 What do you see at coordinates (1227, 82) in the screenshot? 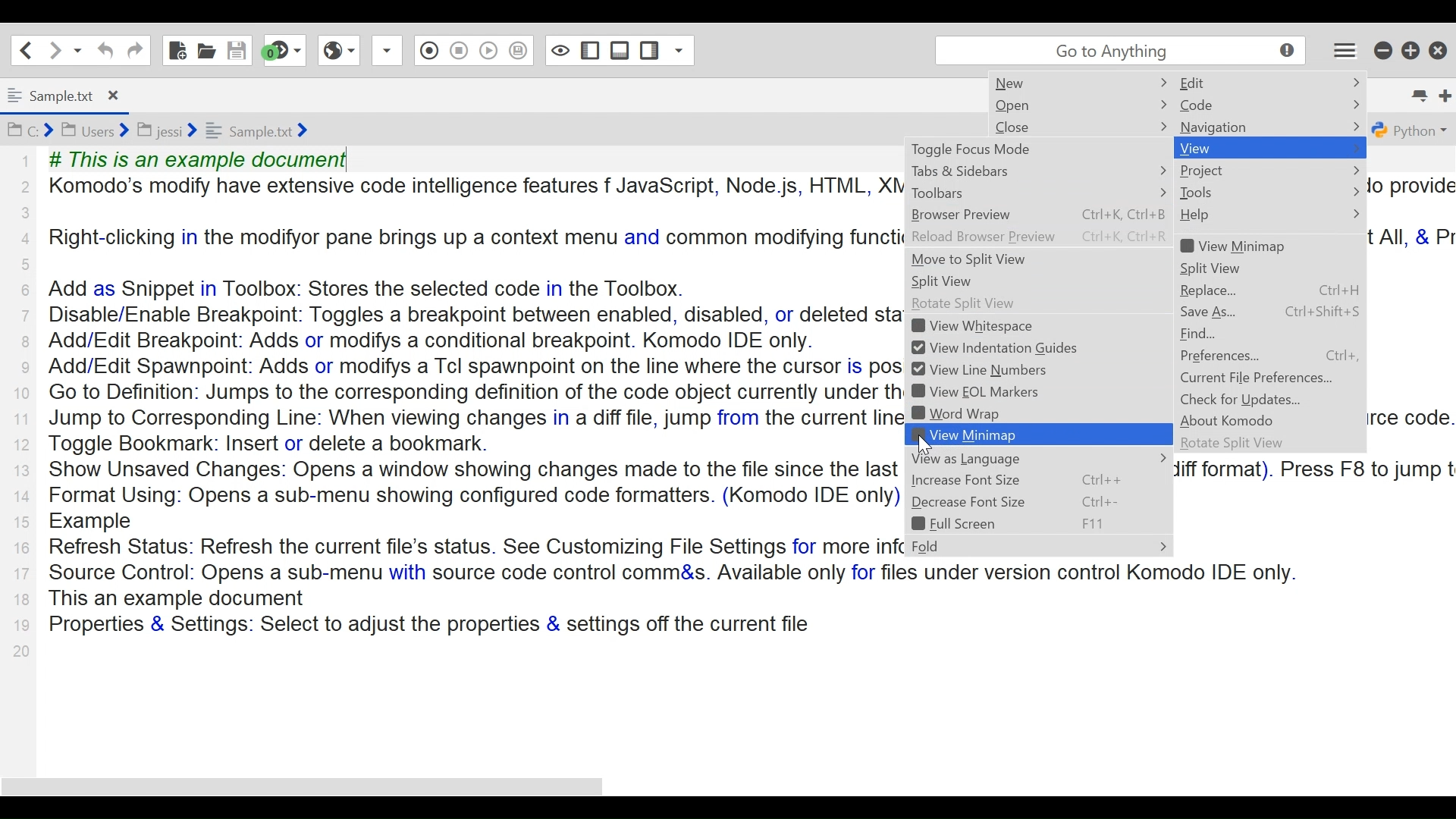
I see `Edit` at bounding box center [1227, 82].